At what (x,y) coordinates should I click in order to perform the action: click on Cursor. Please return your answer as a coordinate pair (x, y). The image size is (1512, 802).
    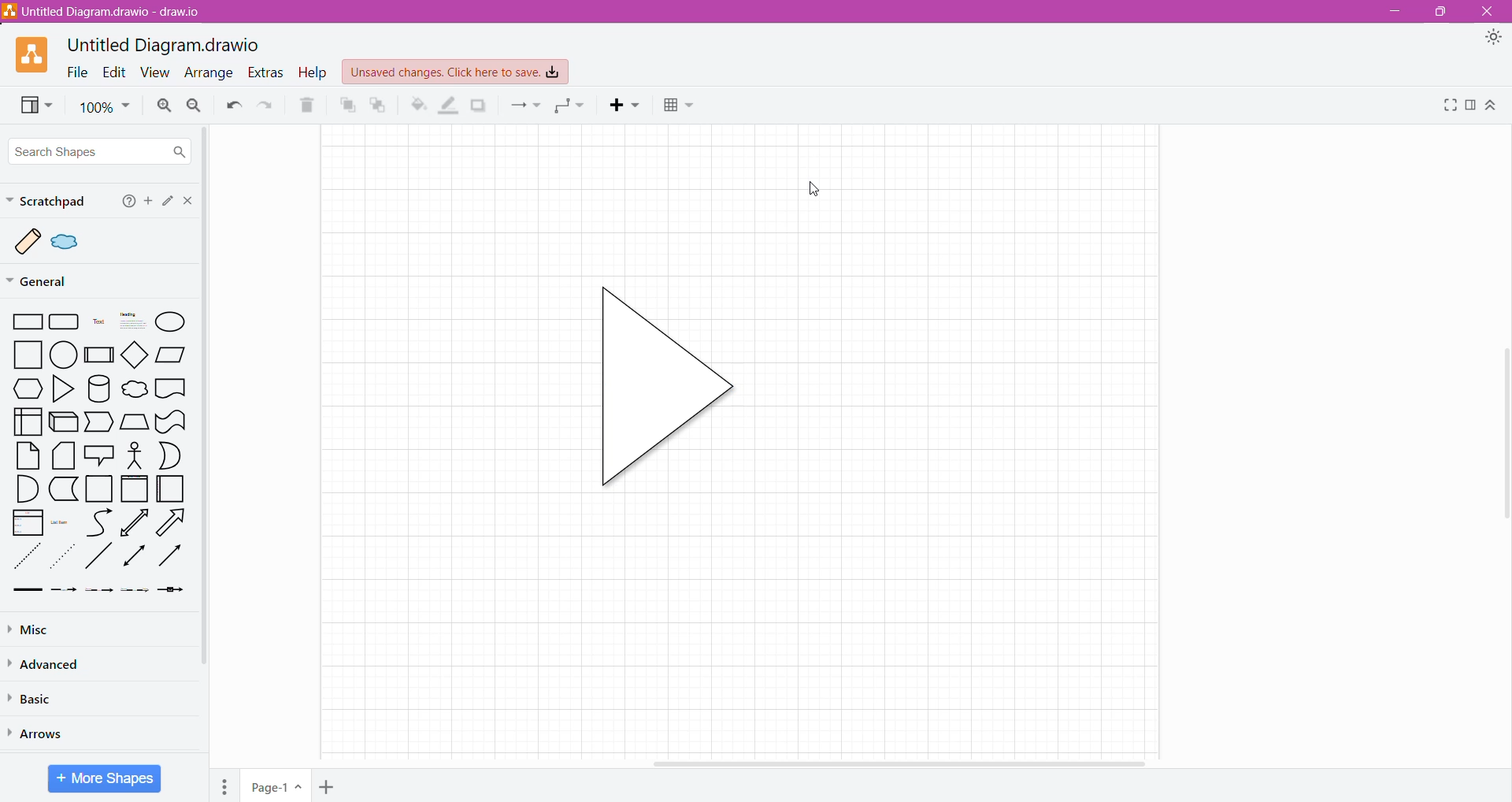
    Looking at the image, I should click on (803, 196).